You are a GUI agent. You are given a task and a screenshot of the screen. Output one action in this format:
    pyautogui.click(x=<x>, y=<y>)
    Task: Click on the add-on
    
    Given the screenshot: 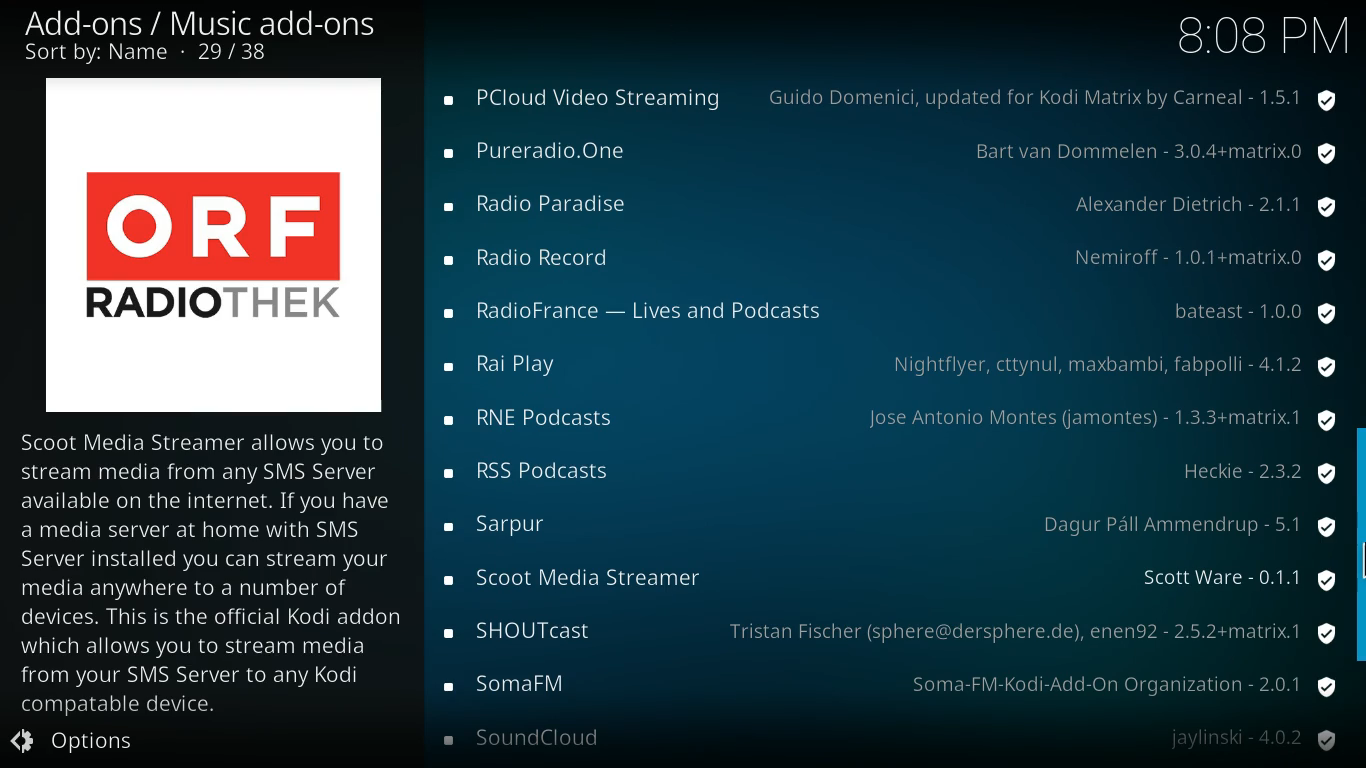 What is the action you would take?
    pyautogui.click(x=576, y=101)
    